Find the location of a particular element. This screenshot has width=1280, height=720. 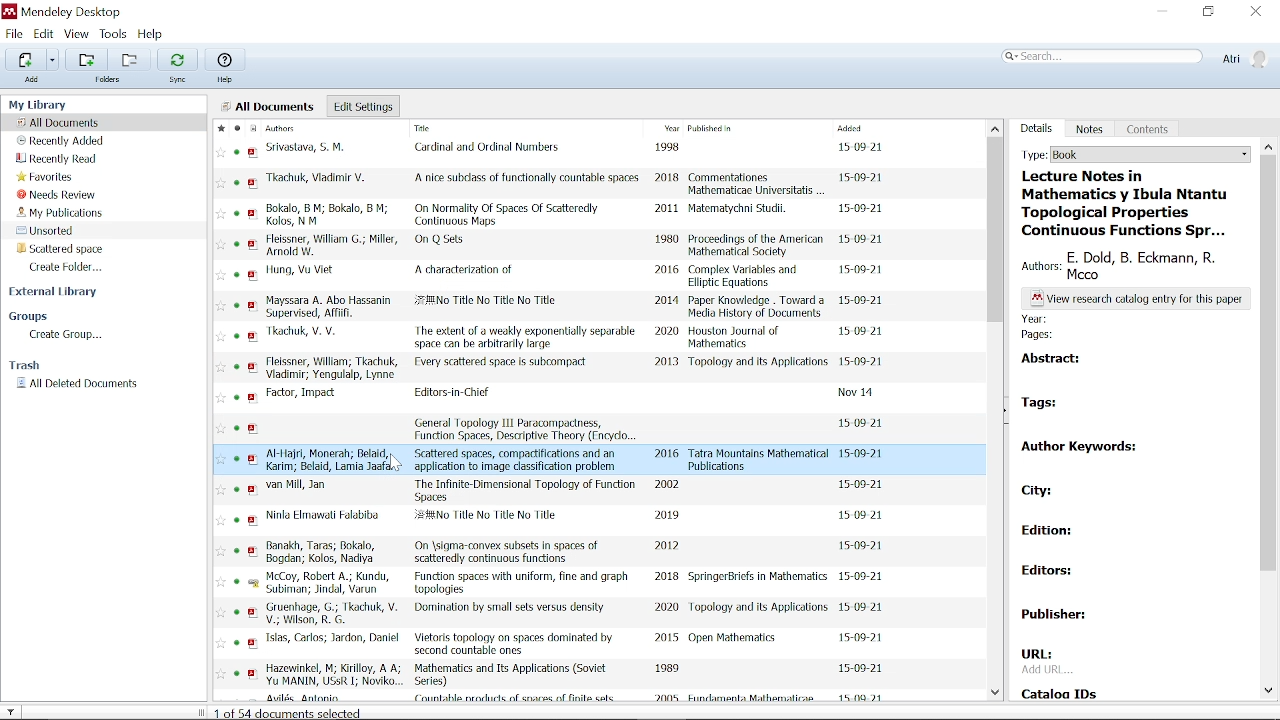

change sidebar width is located at coordinates (200, 712).